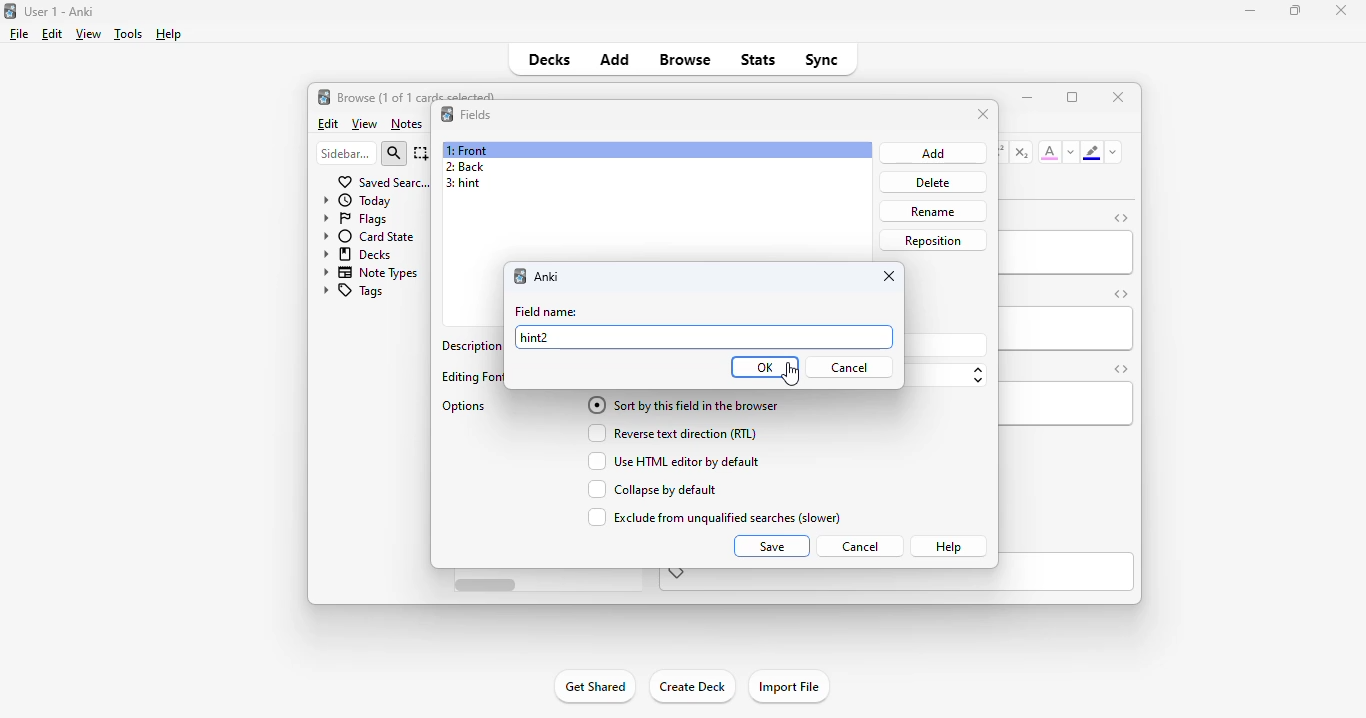  What do you see at coordinates (471, 377) in the screenshot?
I see `editing font` at bounding box center [471, 377].